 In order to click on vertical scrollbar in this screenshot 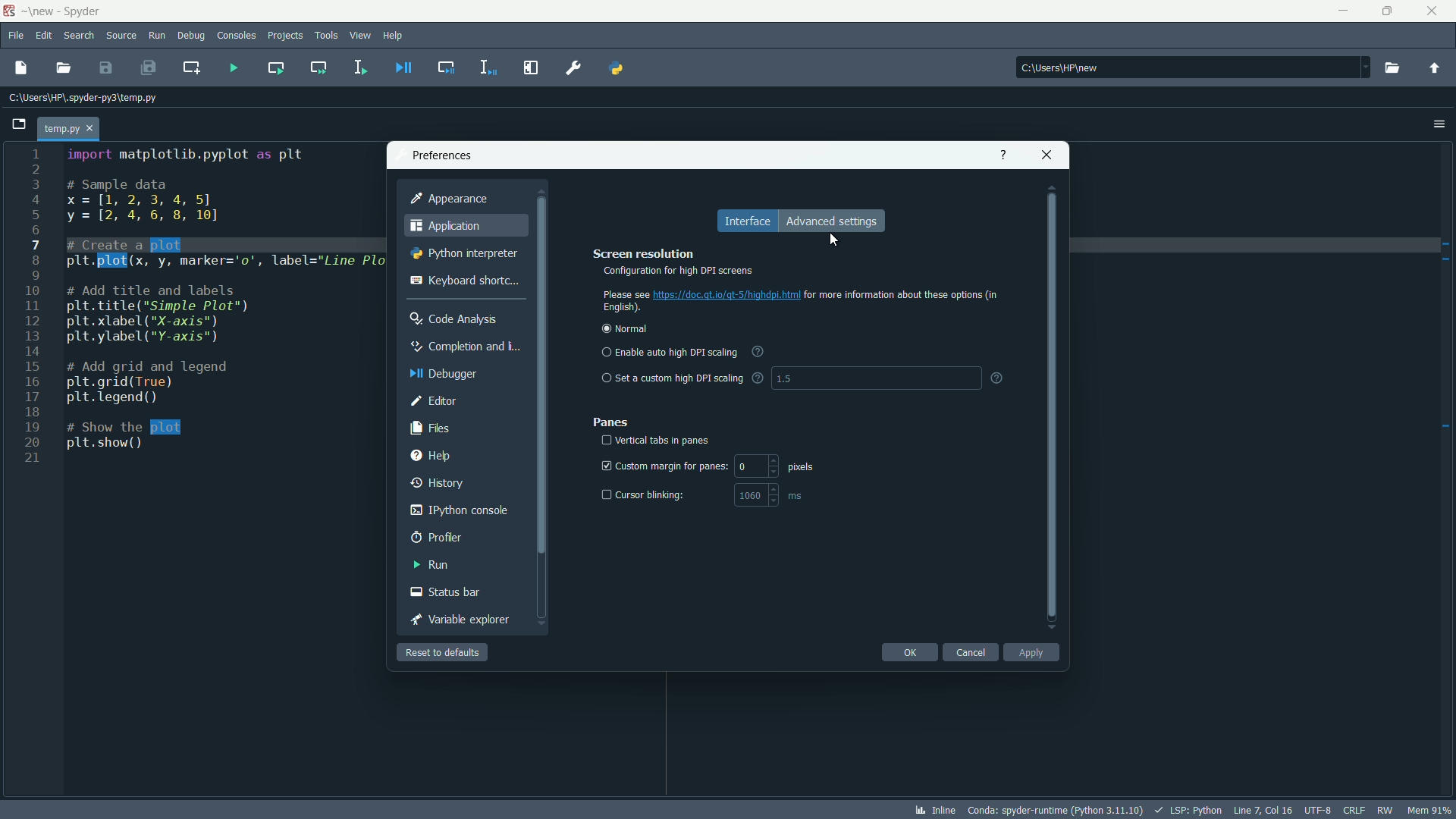, I will do `click(1053, 406)`.